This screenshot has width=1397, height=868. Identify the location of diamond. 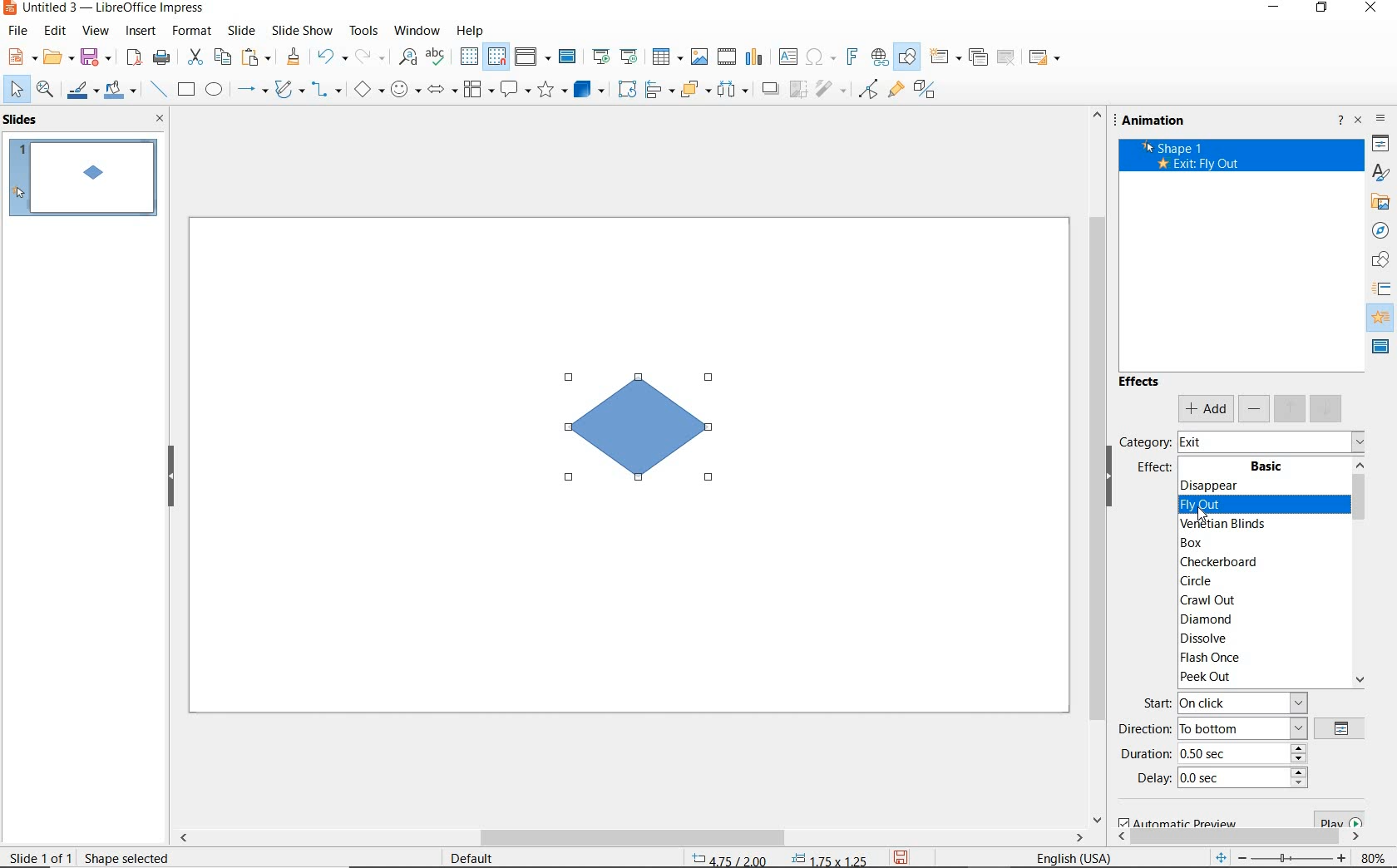
(1258, 620).